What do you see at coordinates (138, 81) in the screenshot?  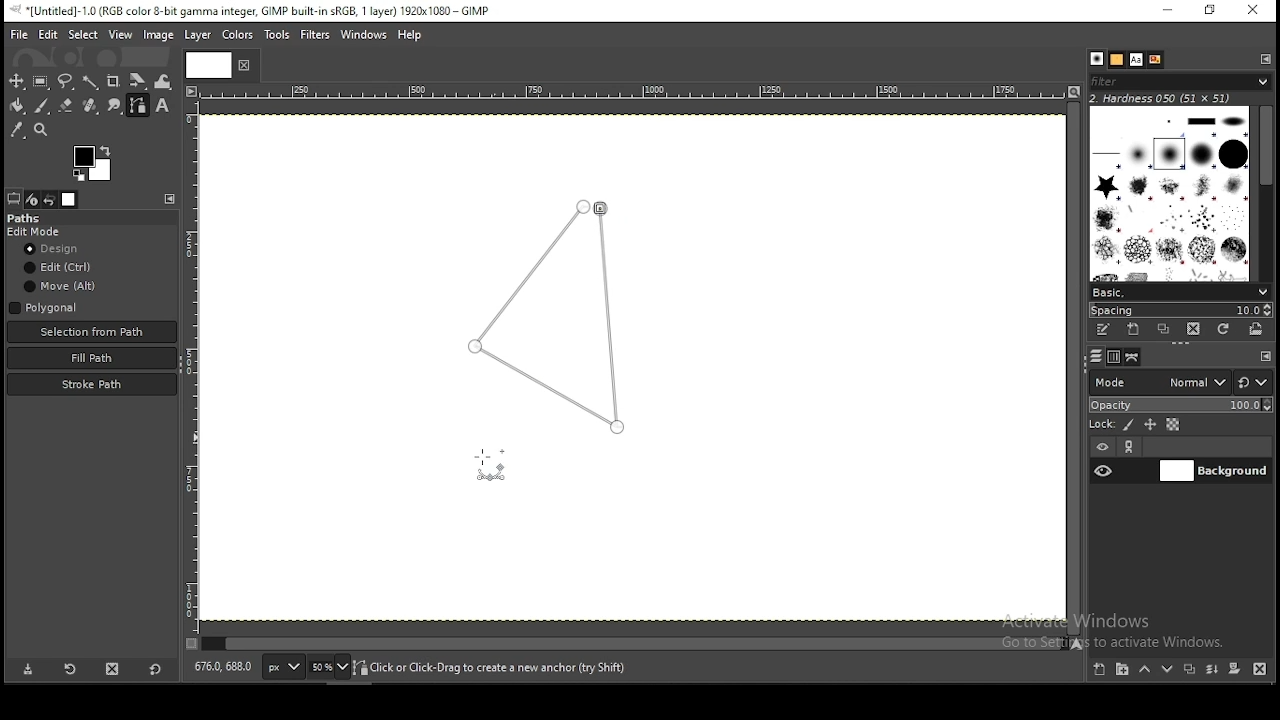 I see `shear tool` at bounding box center [138, 81].